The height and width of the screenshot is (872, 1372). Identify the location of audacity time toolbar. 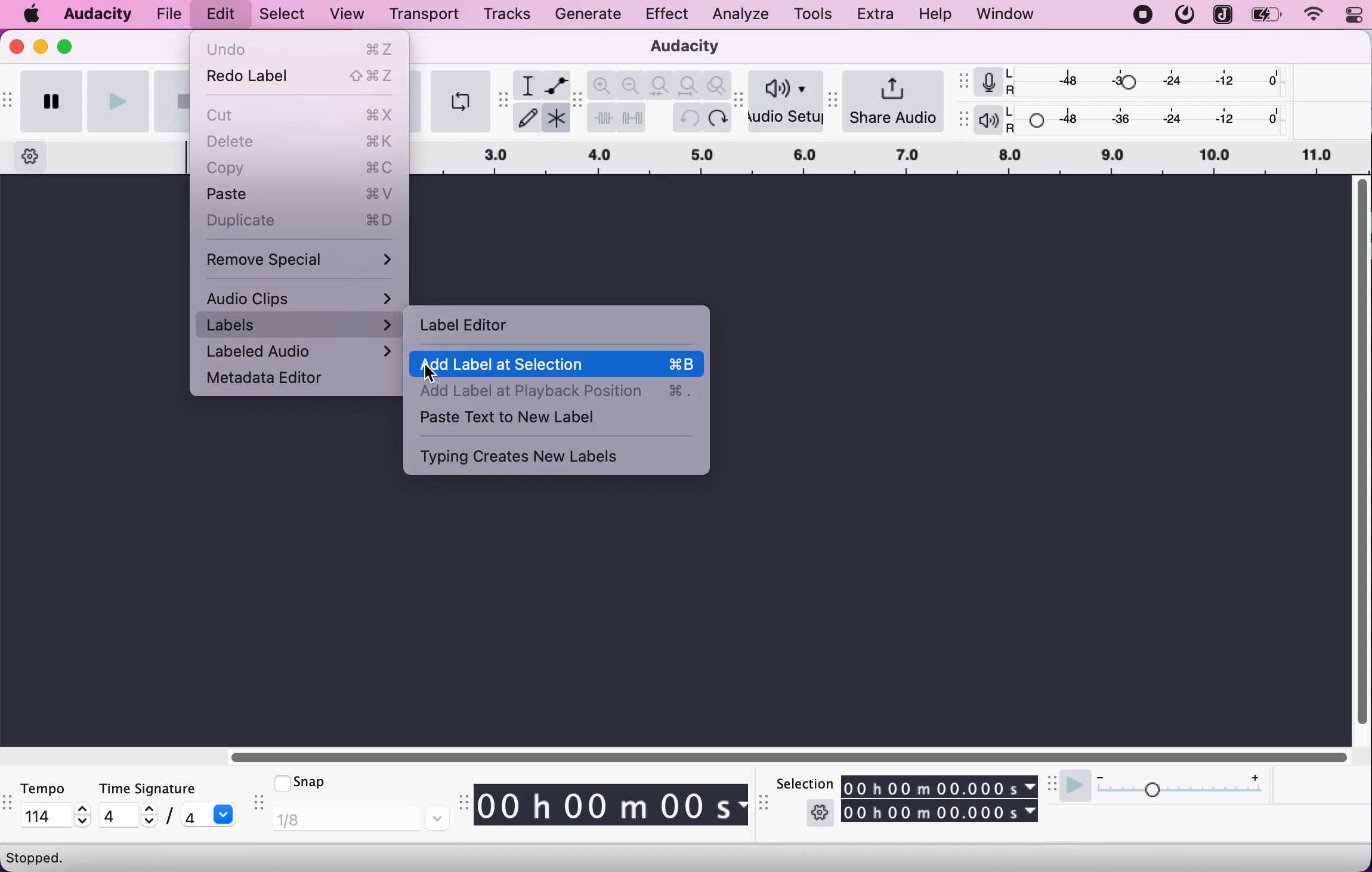
(461, 803).